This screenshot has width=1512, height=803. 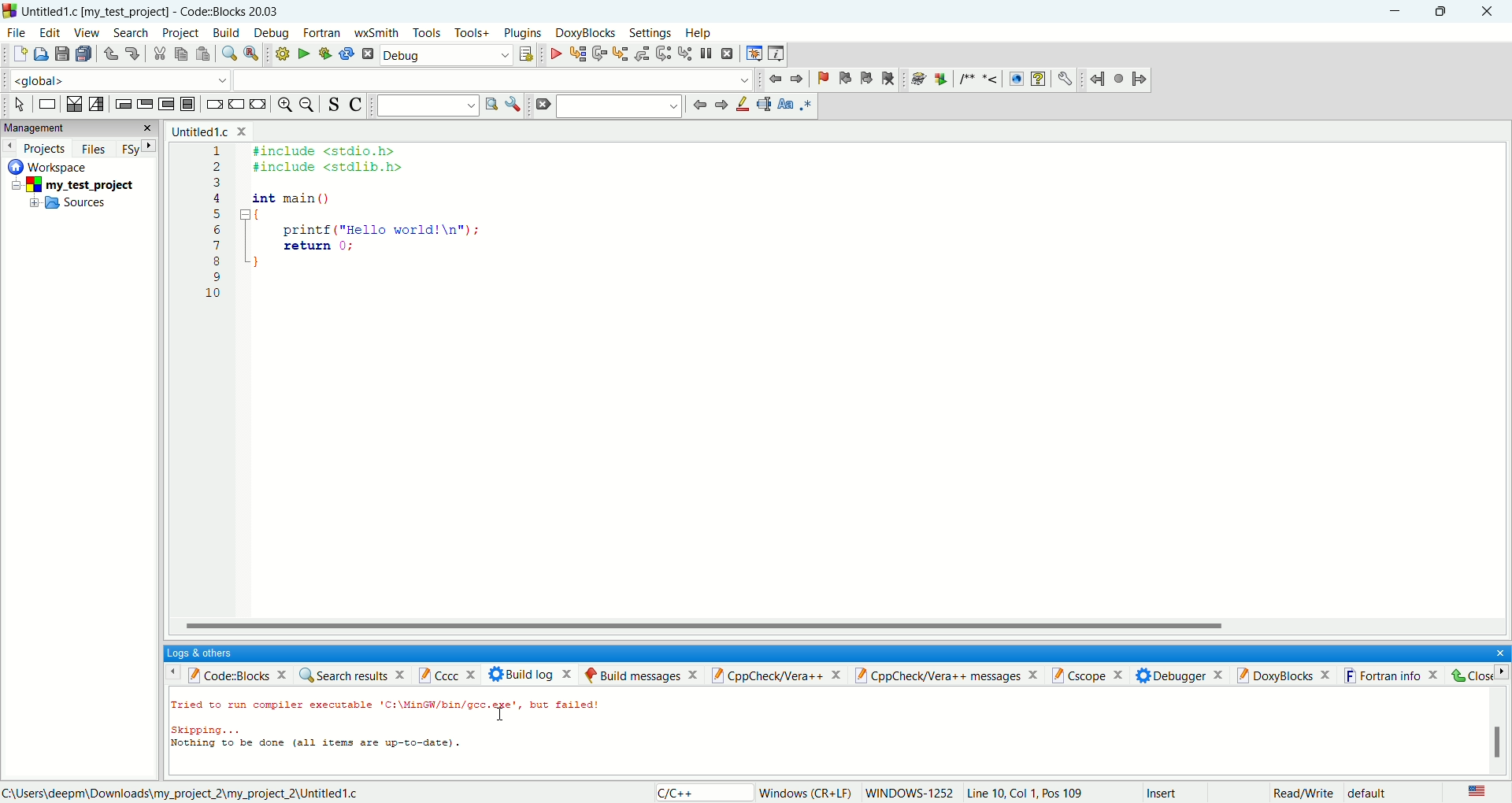 What do you see at coordinates (685, 54) in the screenshot?
I see `step into instruction` at bounding box center [685, 54].